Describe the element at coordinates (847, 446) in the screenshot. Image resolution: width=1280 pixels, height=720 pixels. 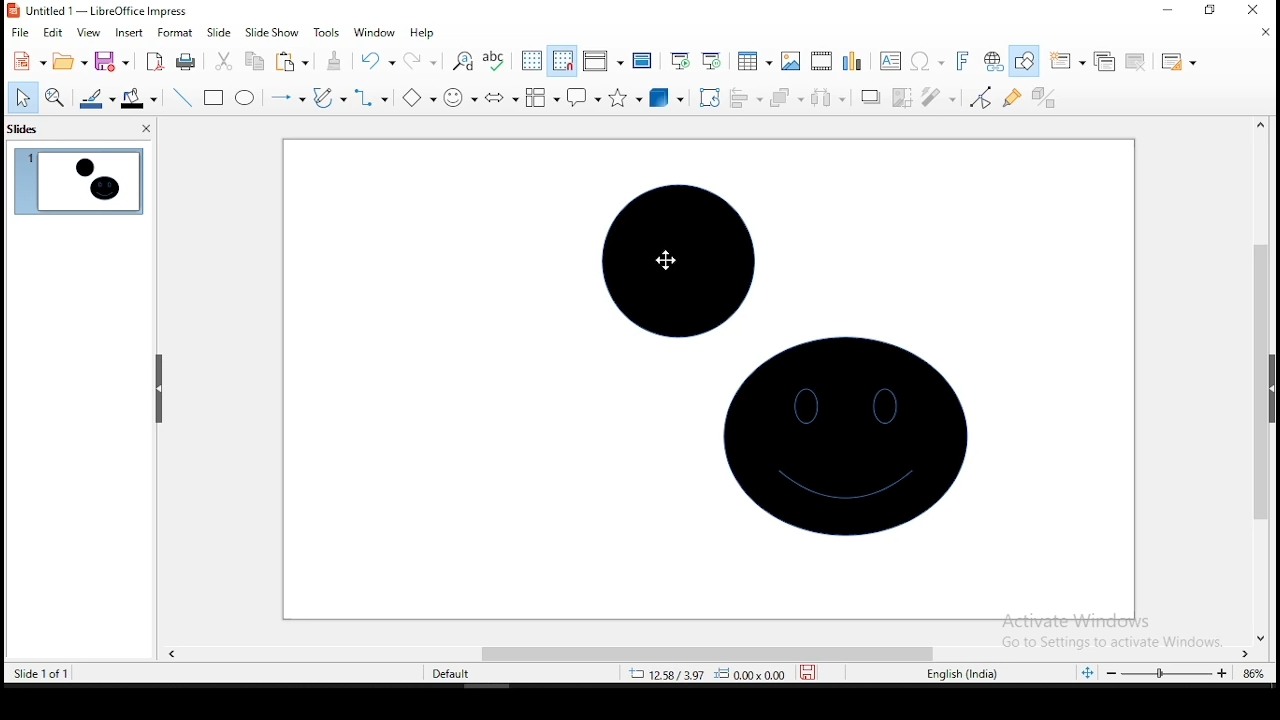
I see `object` at that location.